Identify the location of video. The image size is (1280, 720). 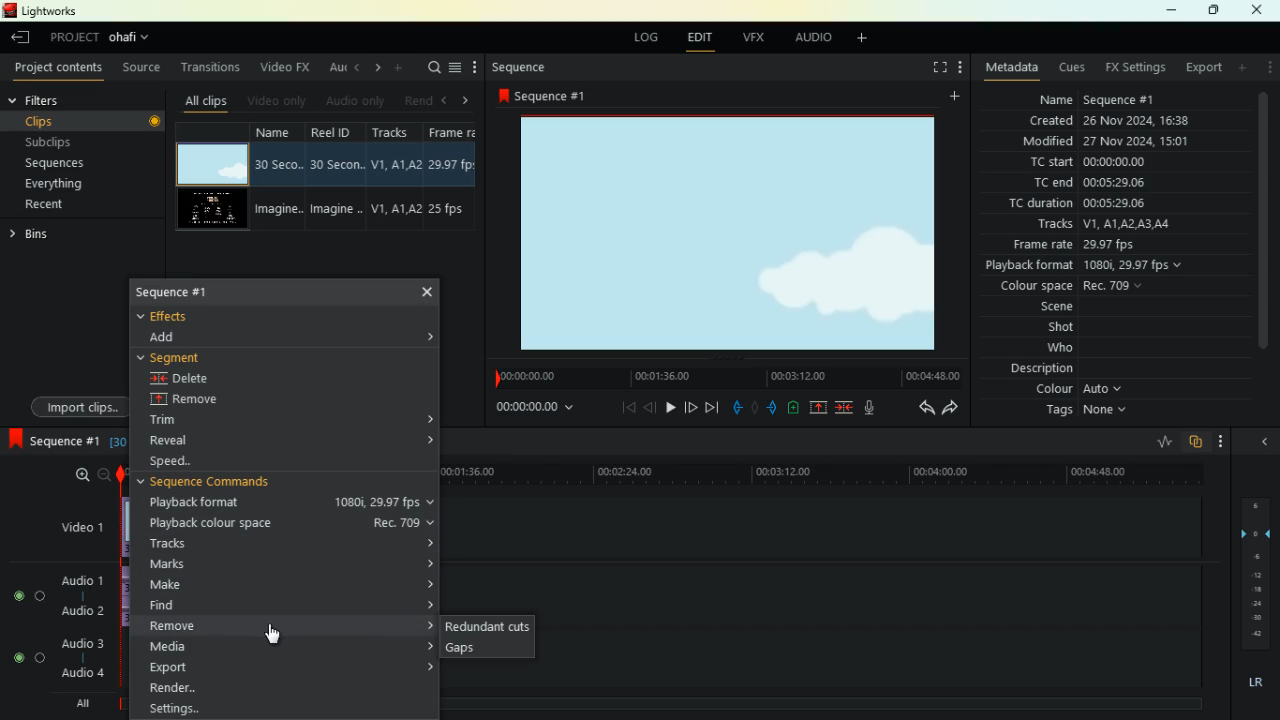
(73, 524).